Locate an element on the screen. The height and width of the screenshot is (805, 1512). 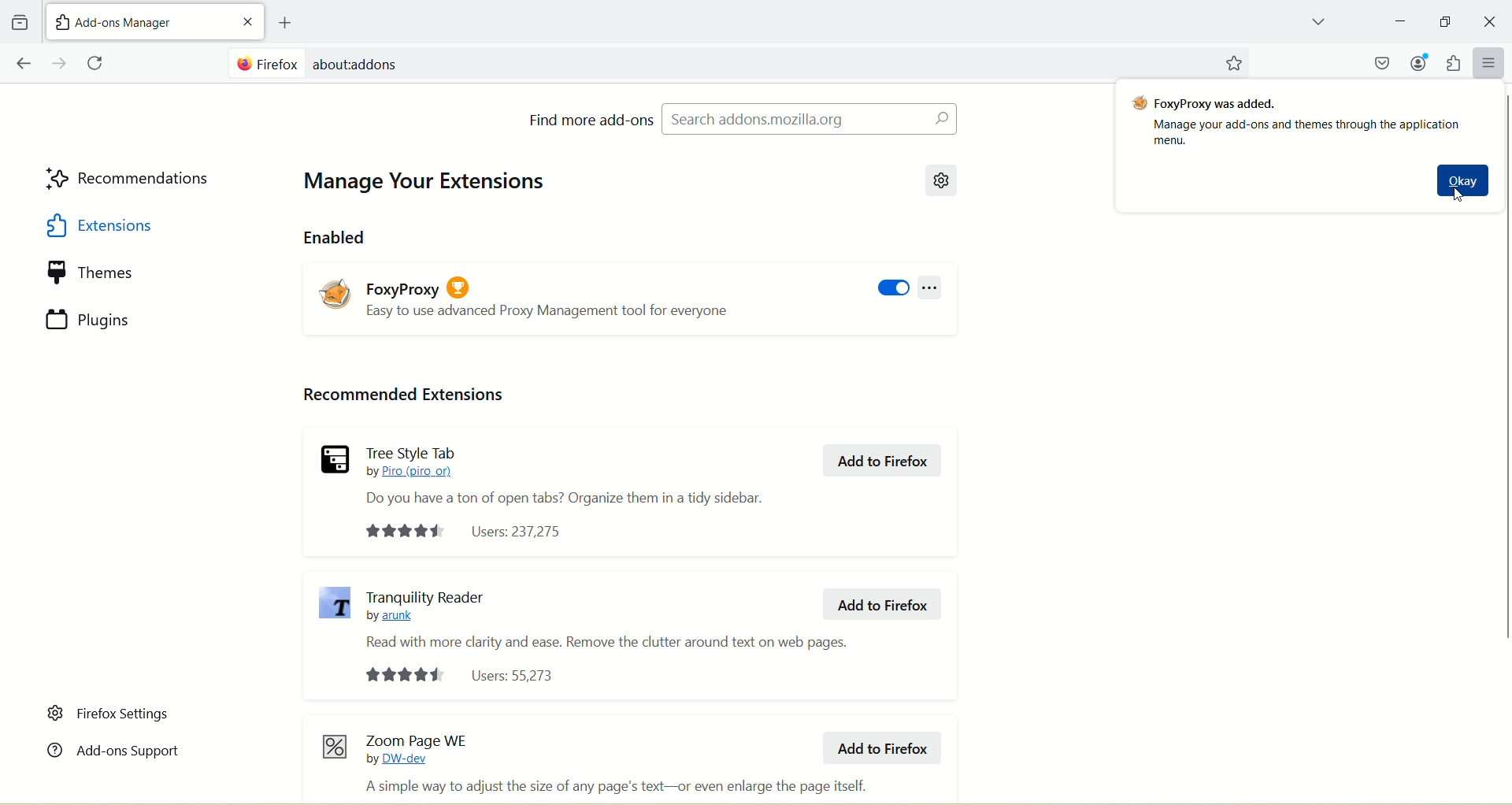
A simple way to adjust the size of any page's text—or even enlarge the page itself. is located at coordinates (614, 786).